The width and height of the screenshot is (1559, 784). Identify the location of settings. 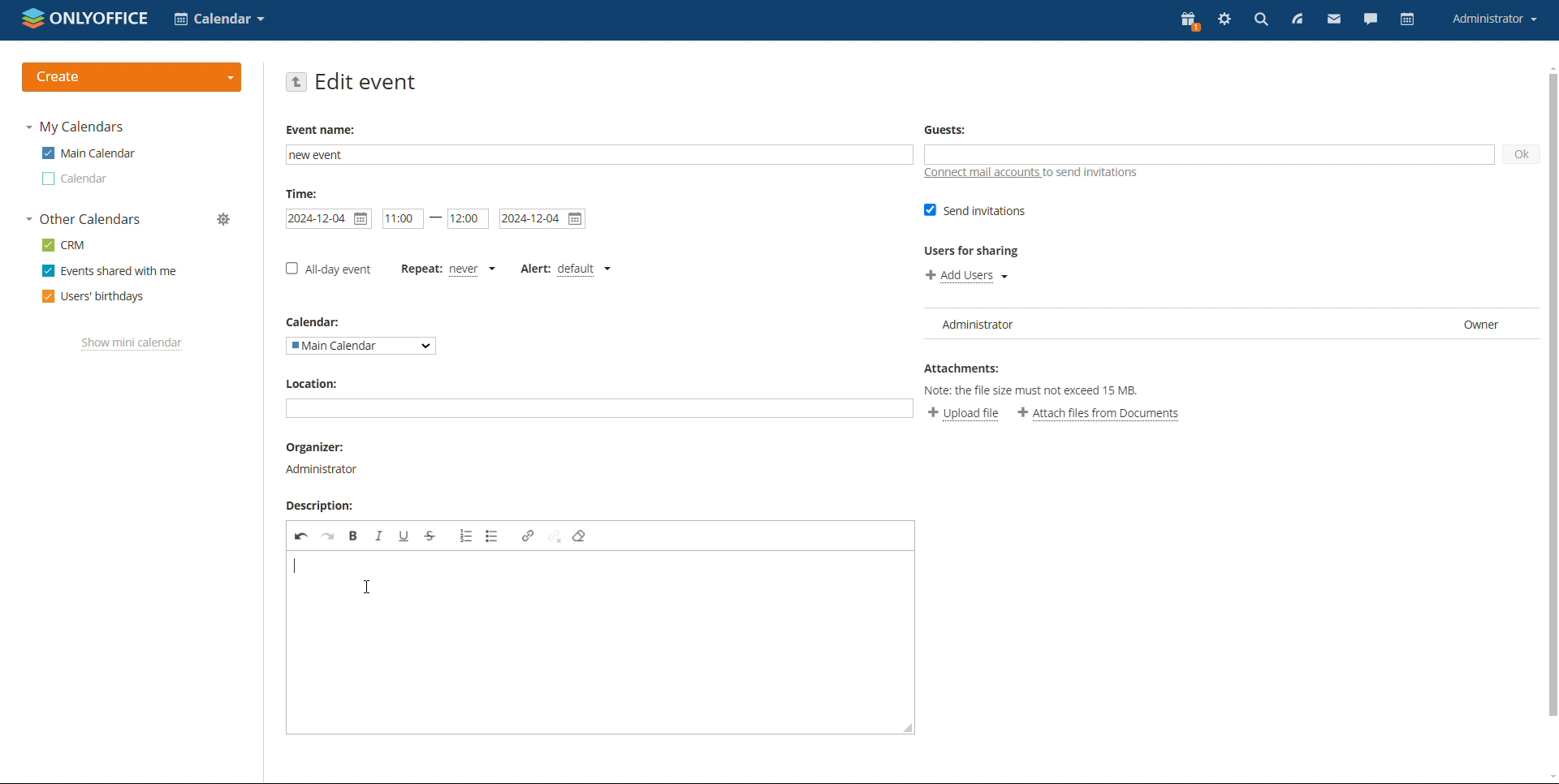
(1223, 21).